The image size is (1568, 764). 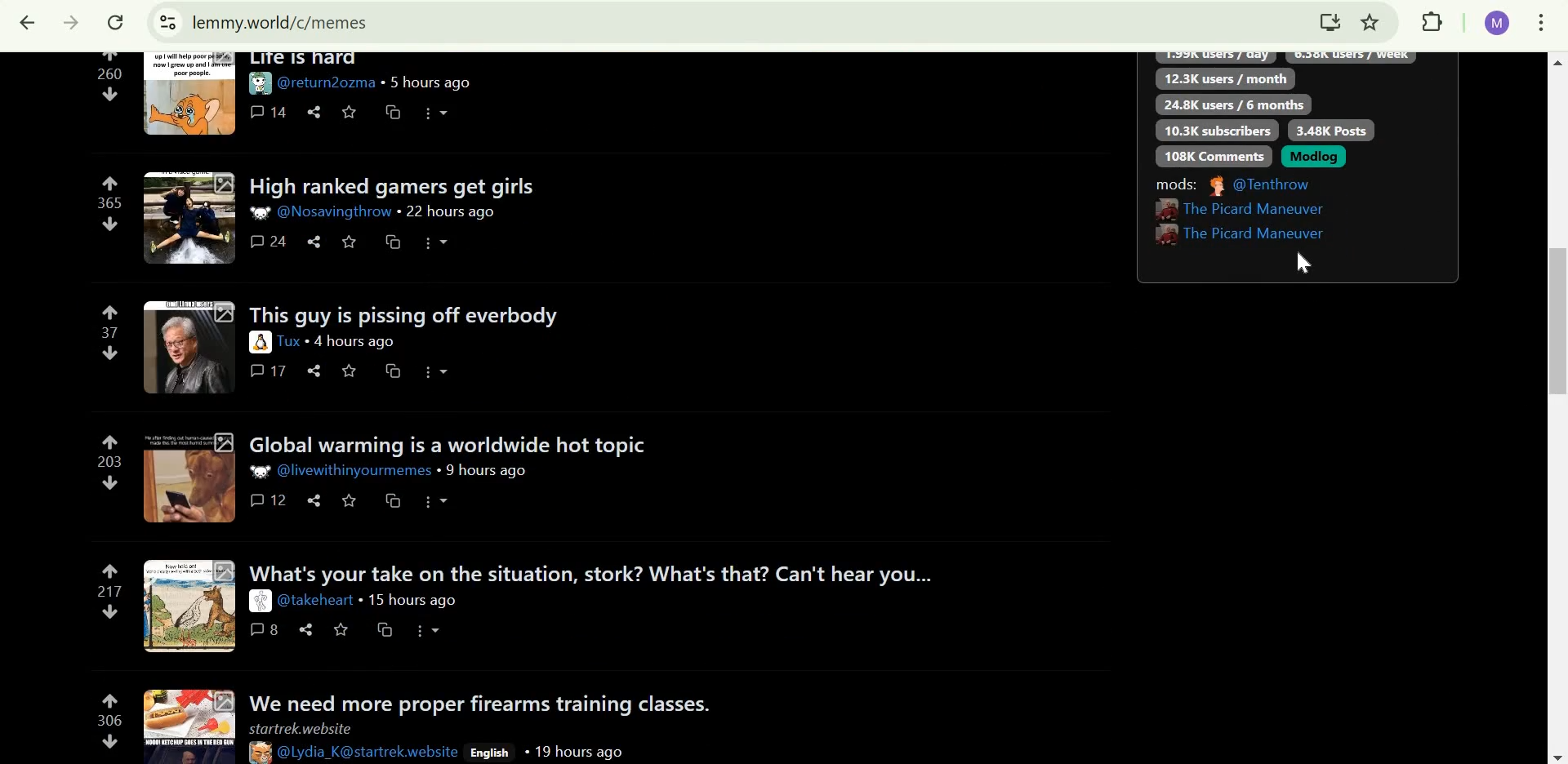 I want to click on 15 hours ago, so click(x=411, y=601).